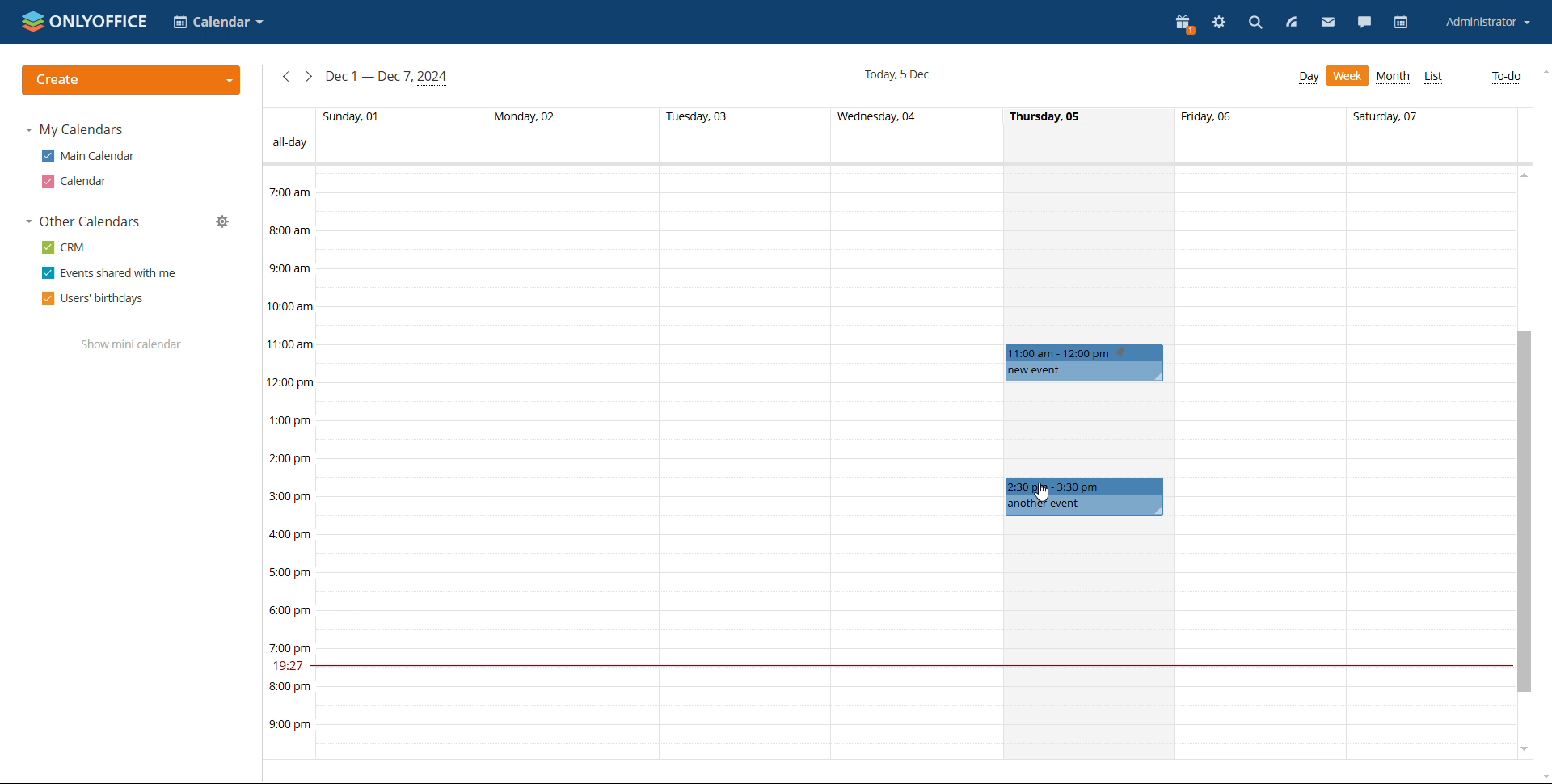 The image size is (1552, 784). Describe the element at coordinates (1542, 72) in the screenshot. I see `scroll up` at that location.